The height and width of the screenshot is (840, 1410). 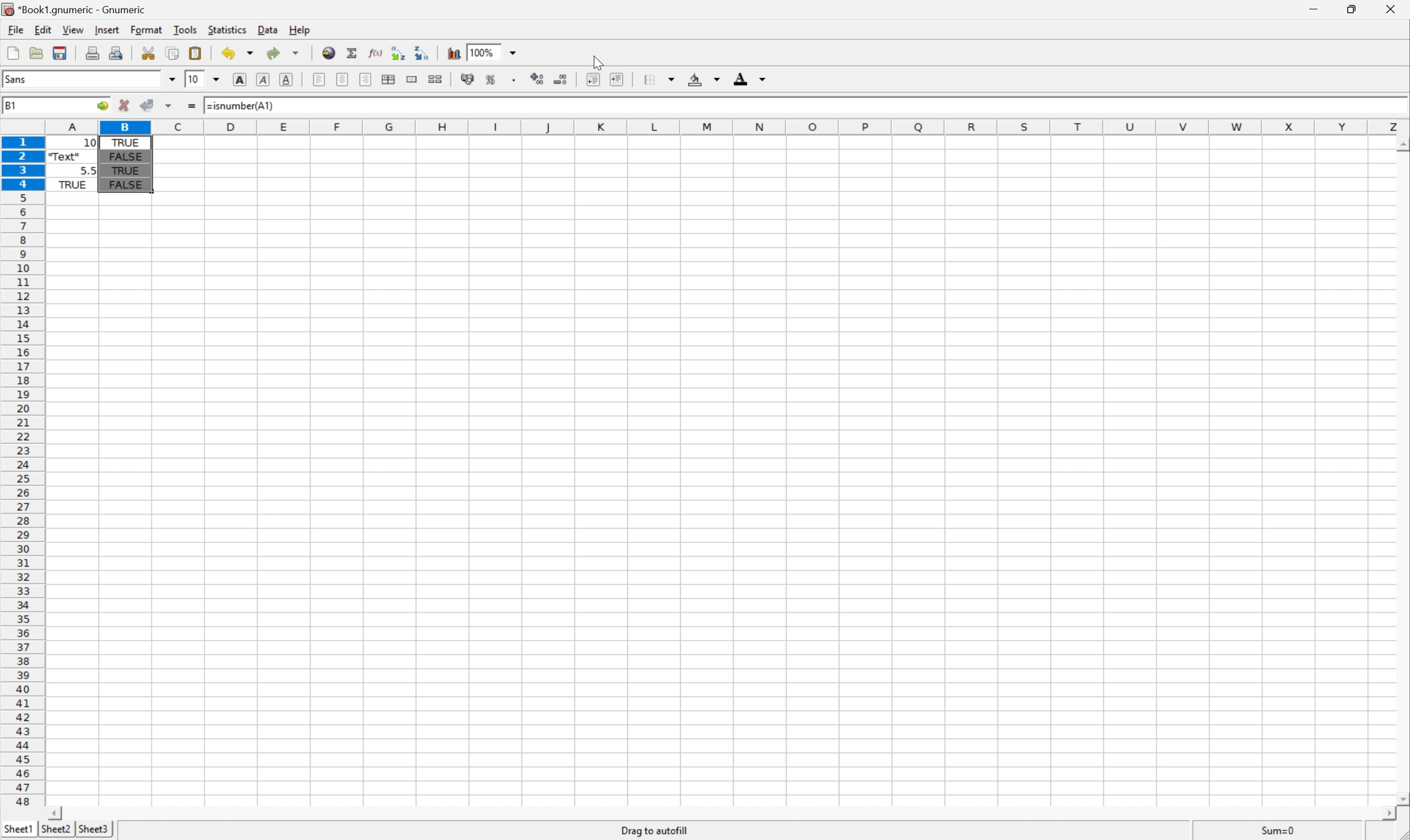 What do you see at coordinates (1401, 144) in the screenshot?
I see `Scroll Down` at bounding box center [1401, 144].